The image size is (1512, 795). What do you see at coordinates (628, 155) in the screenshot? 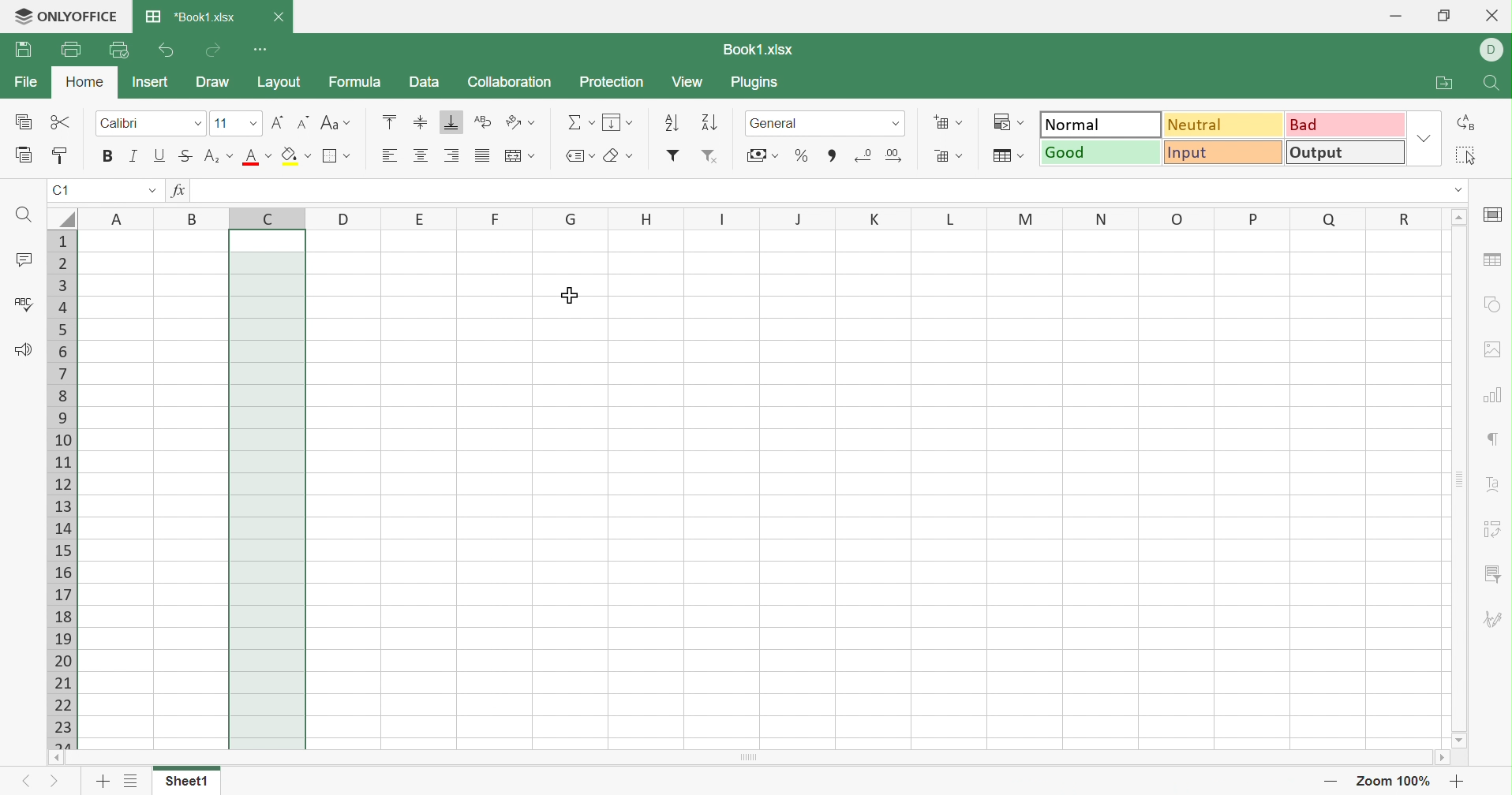
I see `Drop Down` at bounding box center [628, 155].